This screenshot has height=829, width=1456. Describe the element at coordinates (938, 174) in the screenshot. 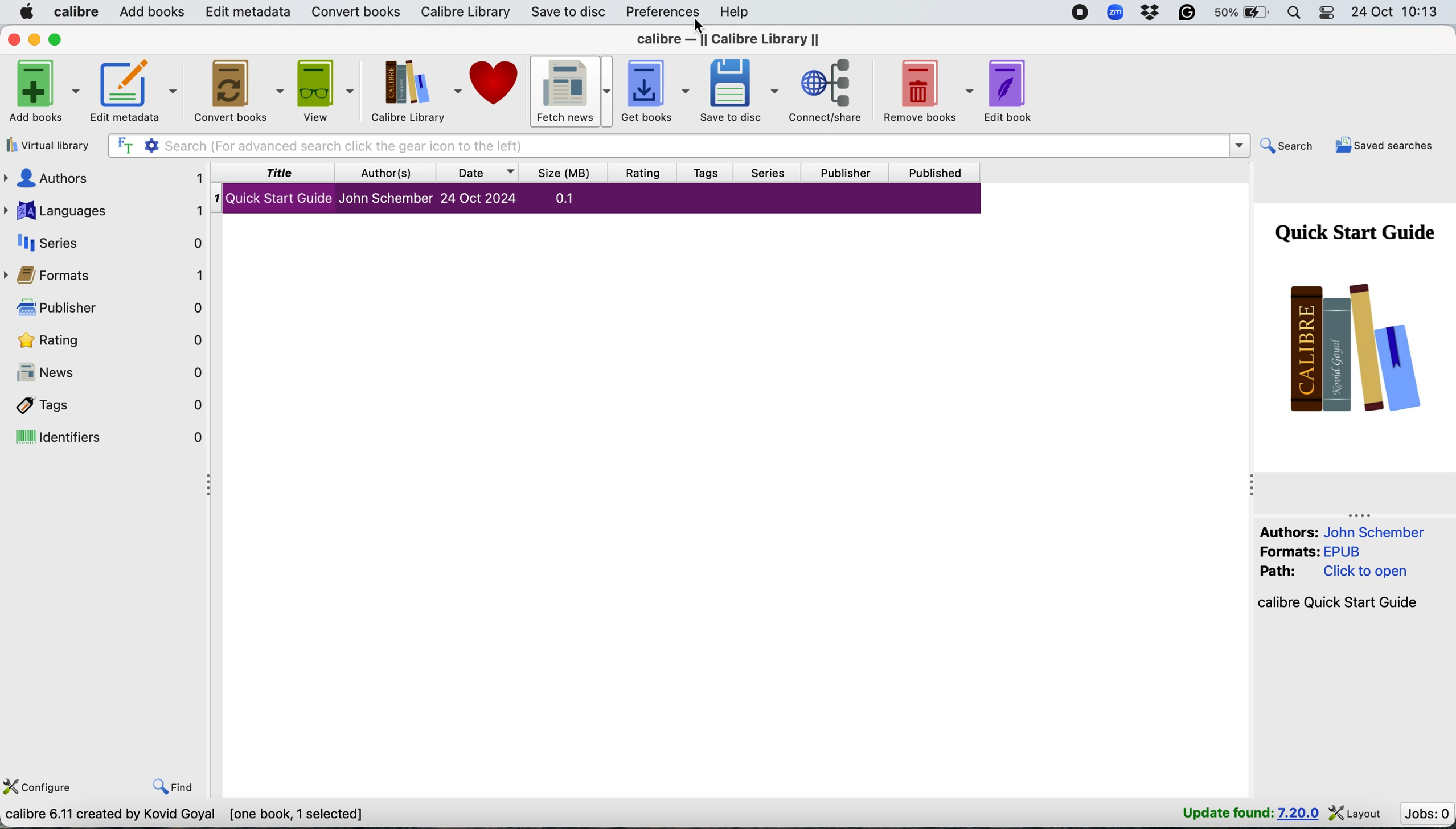

I see `published` at that location.